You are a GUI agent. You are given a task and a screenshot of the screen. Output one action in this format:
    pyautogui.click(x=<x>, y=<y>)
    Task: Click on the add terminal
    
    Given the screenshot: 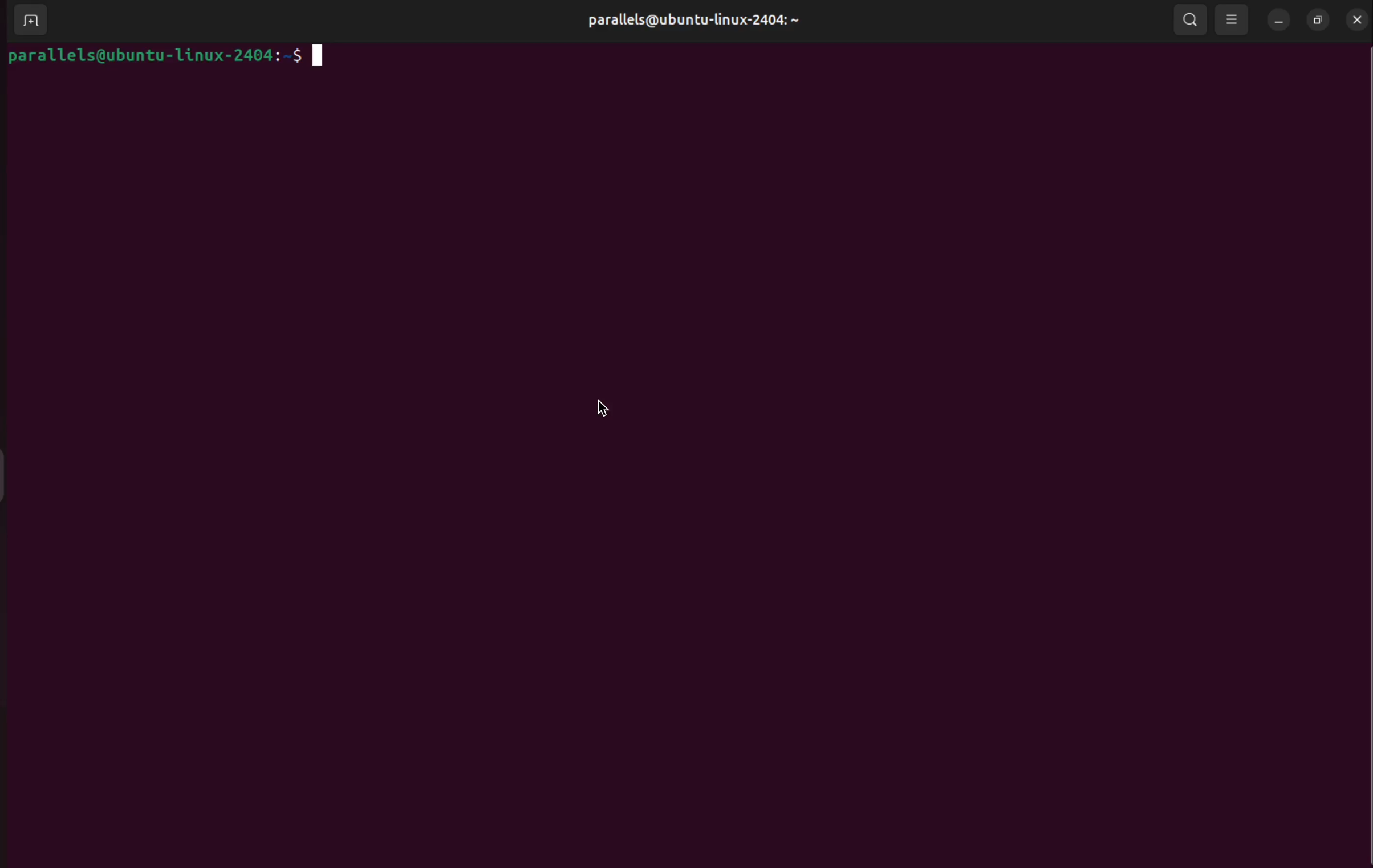 What is the action you would take?
    pyautogui.click(x=30, y=19)
    